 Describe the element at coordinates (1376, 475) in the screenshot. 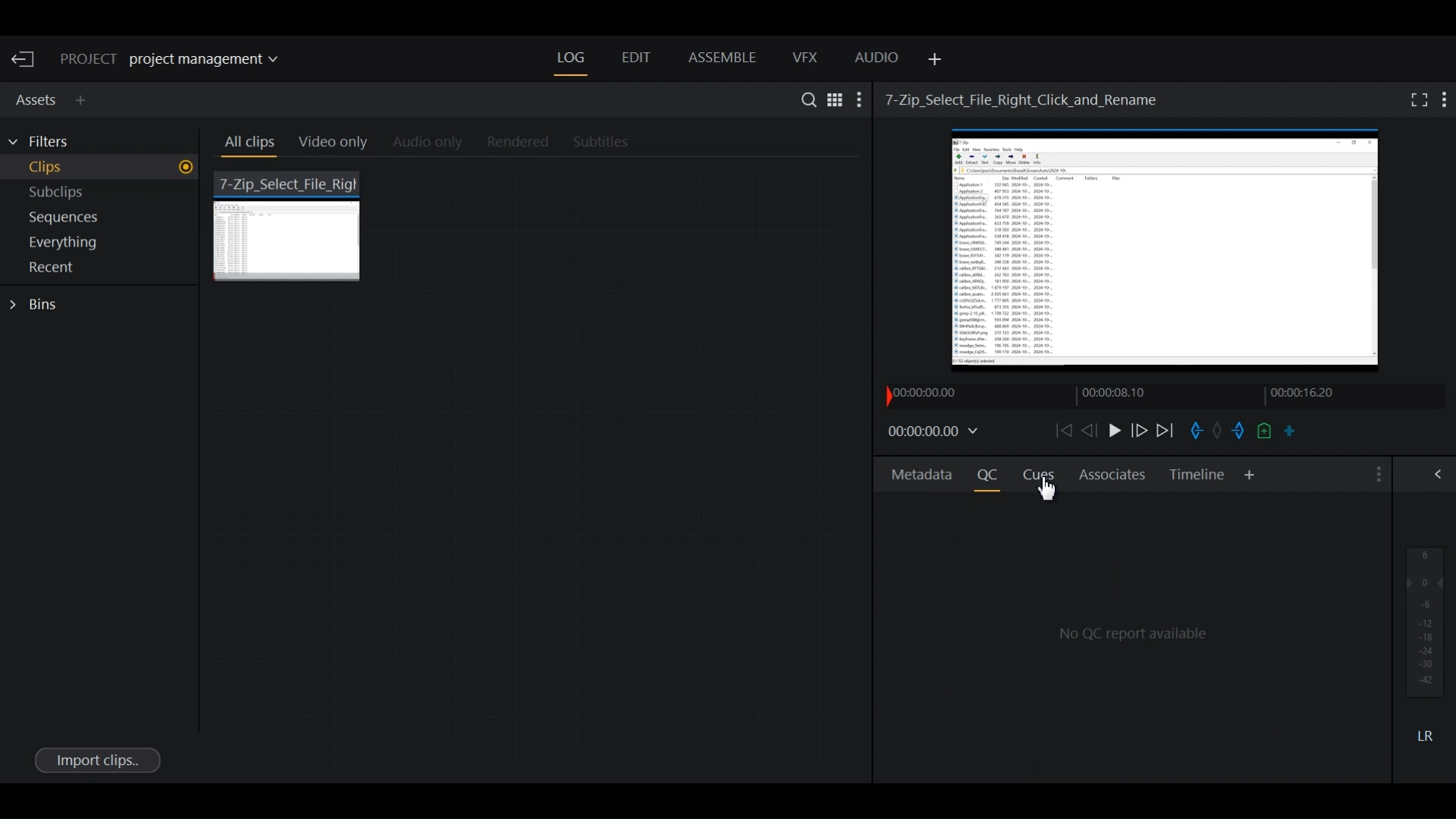

I see `Show settings menu` at that location.